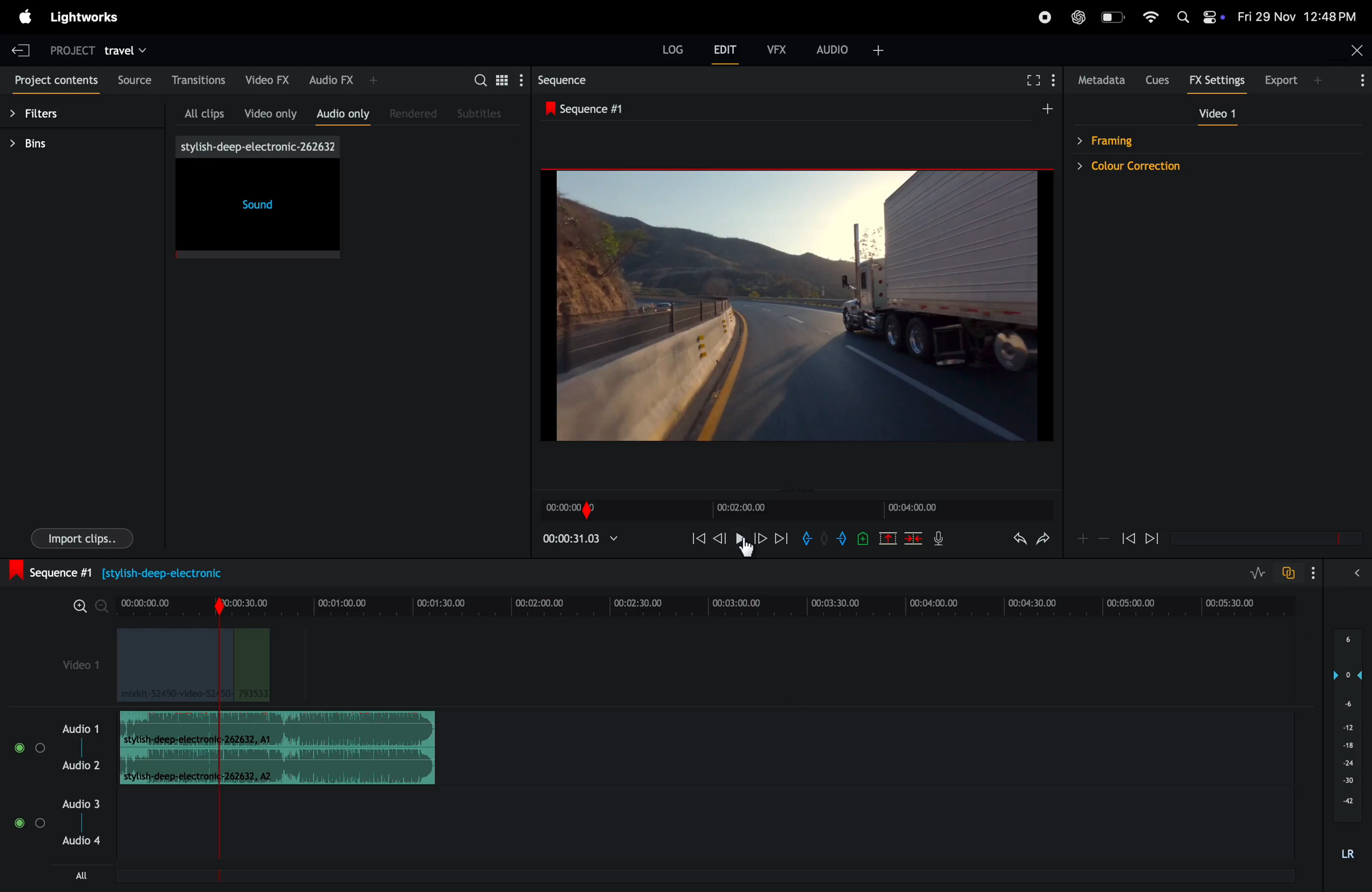  Describe the element at coordinates (1030, 80) in the screenshot. I see `full screen` at that location.